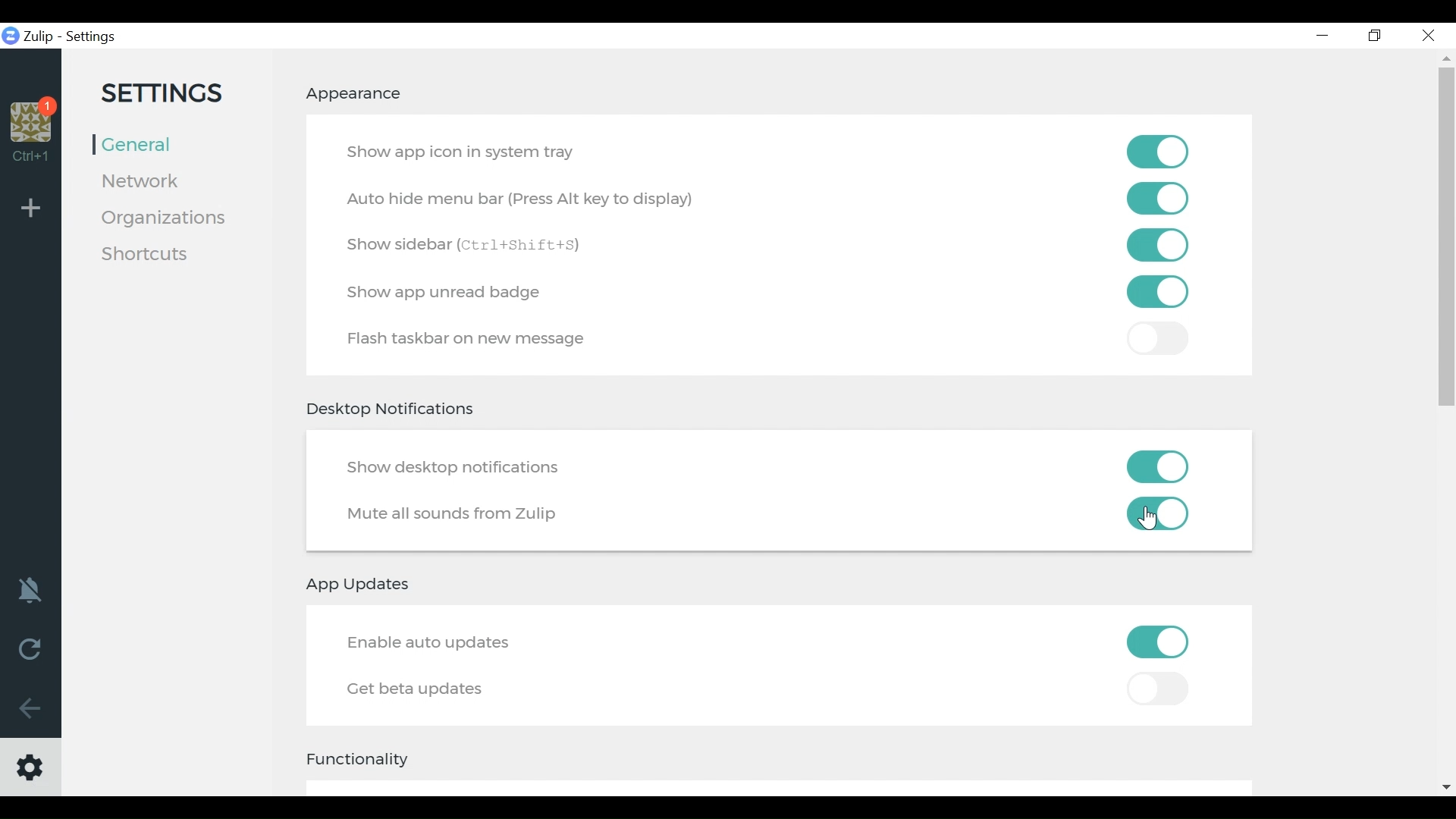  Describe the element at coordinates (1157, 245) in the screenshot. I see `Toggle on/off show sidebar` at that location.